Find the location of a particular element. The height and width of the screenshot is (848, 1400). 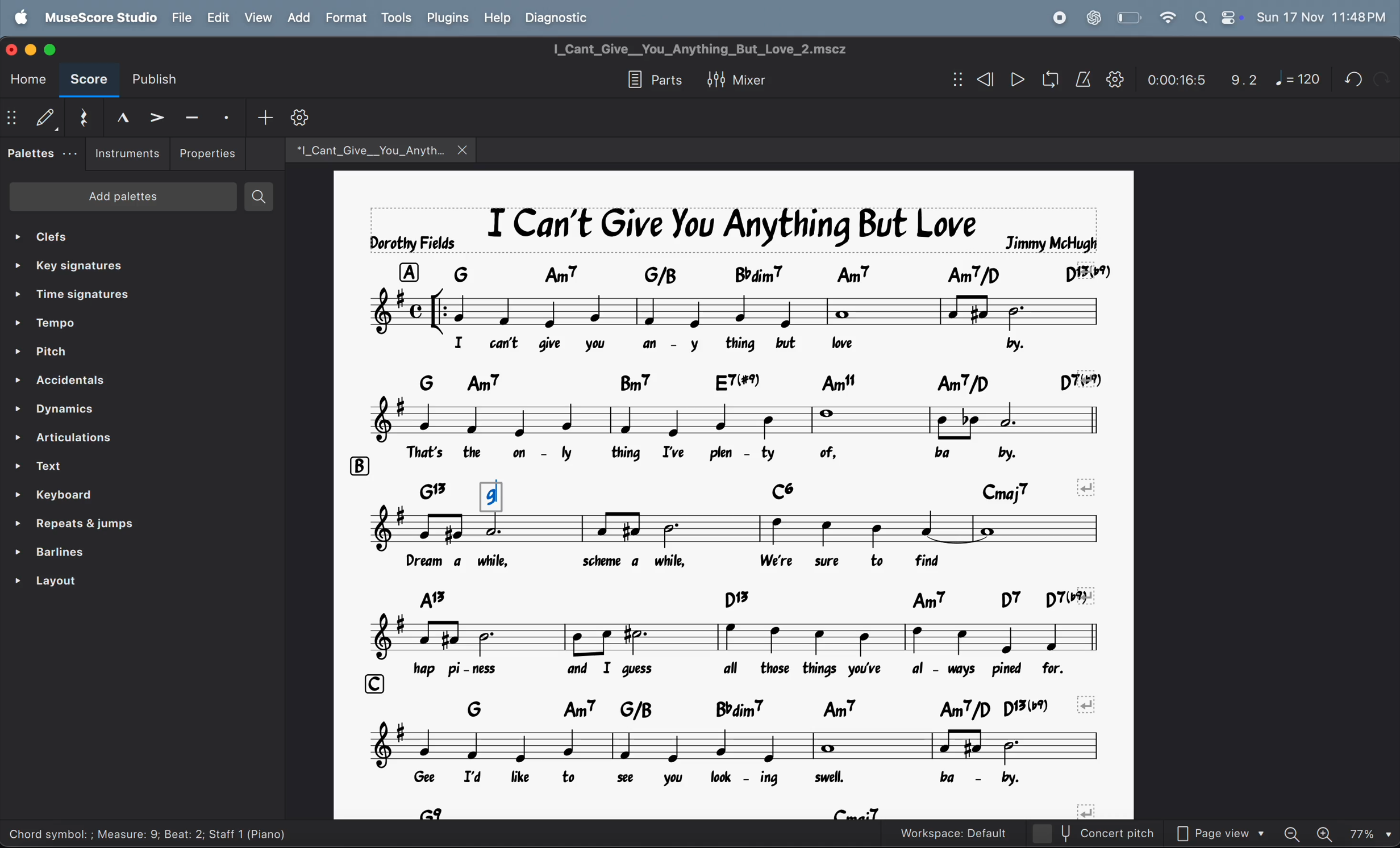

view is located at coordinates (259, 18).